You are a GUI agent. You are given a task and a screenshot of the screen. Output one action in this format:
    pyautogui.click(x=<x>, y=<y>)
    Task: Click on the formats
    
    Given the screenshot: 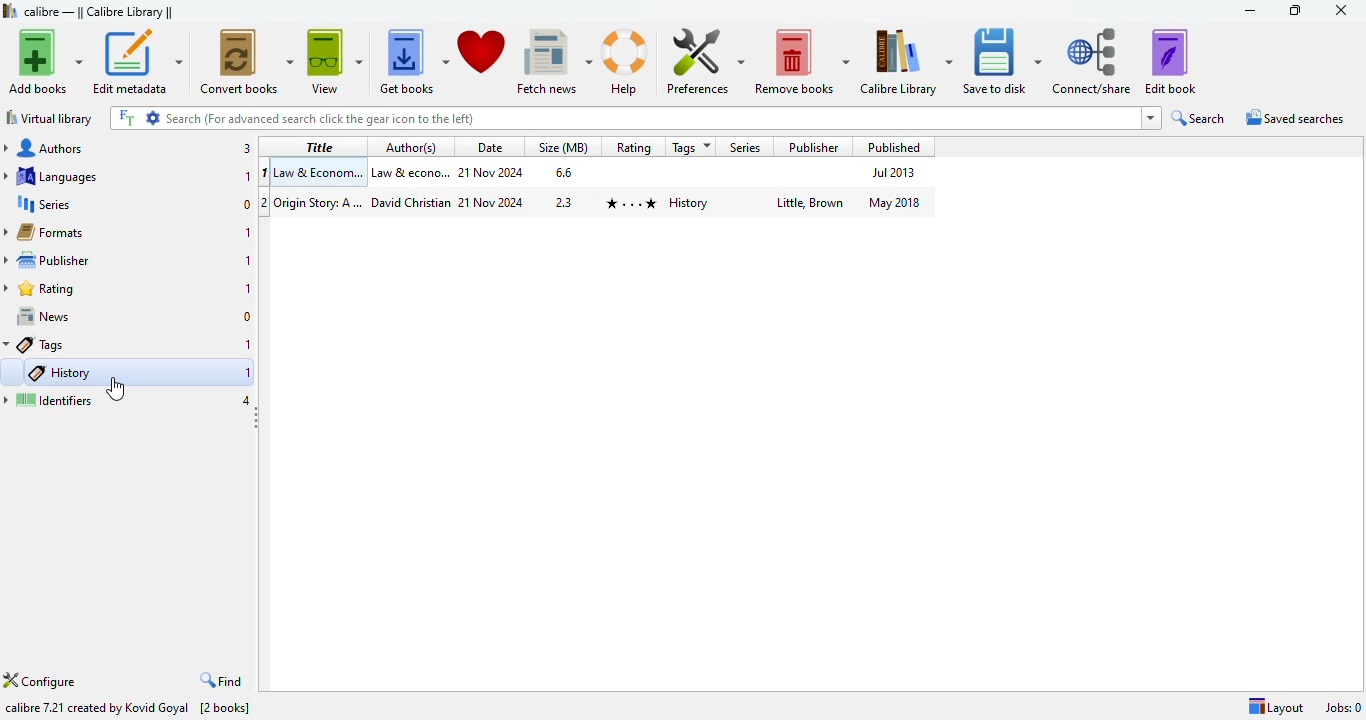 What is the action you would take?
    pyautogui.click(x=44, y=231)
    